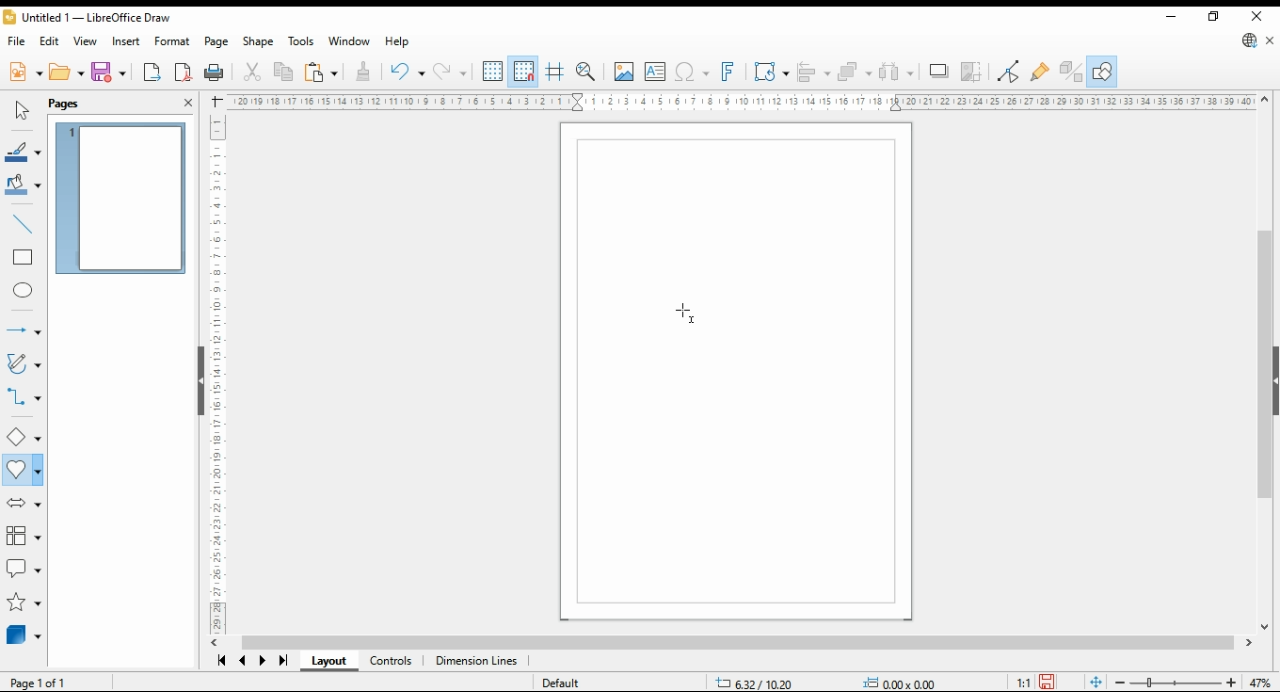 Image resolution: width=1280 pixels, height=692 pixels. I want to click on status, so click(822, 682).